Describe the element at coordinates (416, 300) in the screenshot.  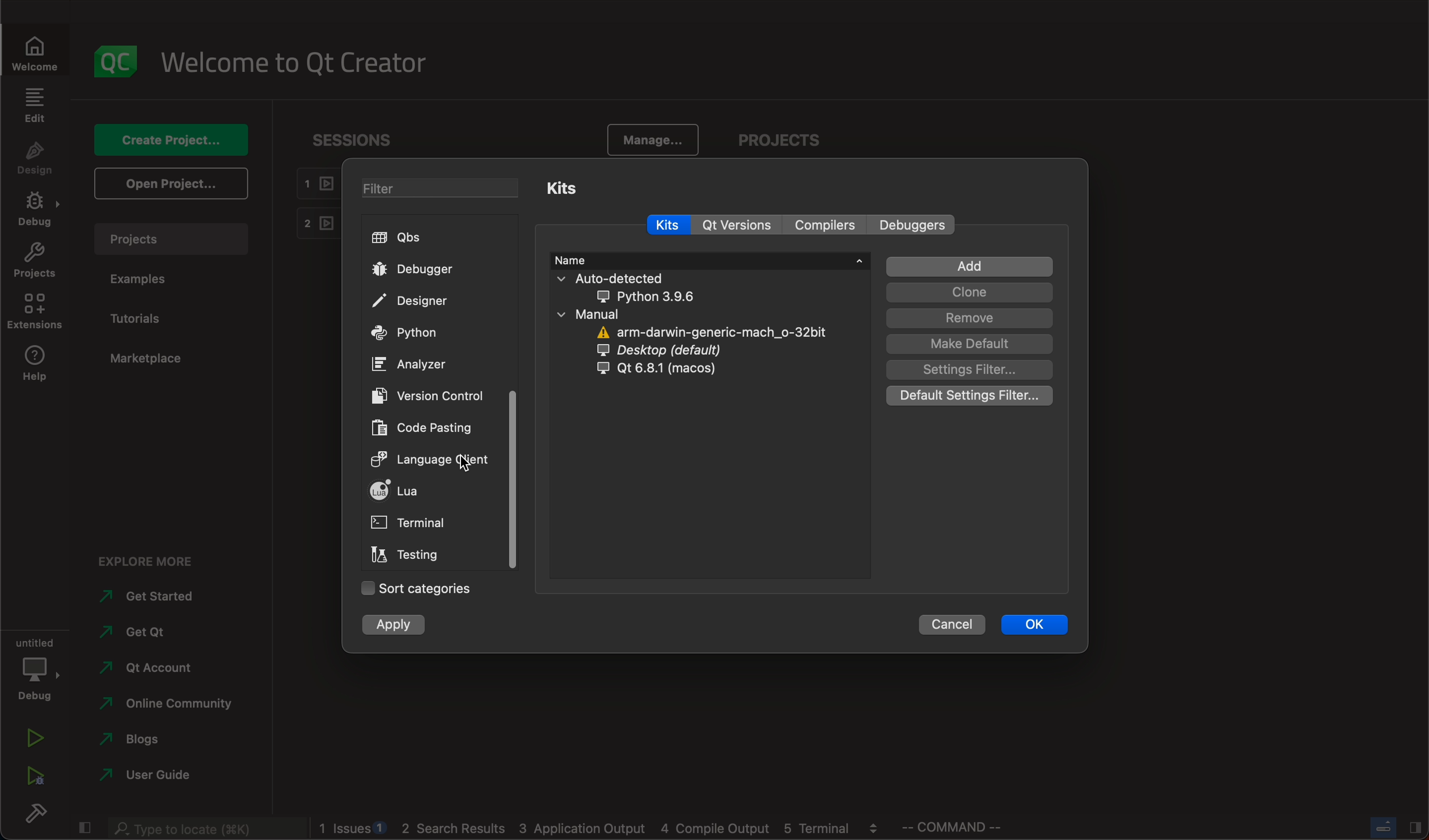
I see `designer` at that location.